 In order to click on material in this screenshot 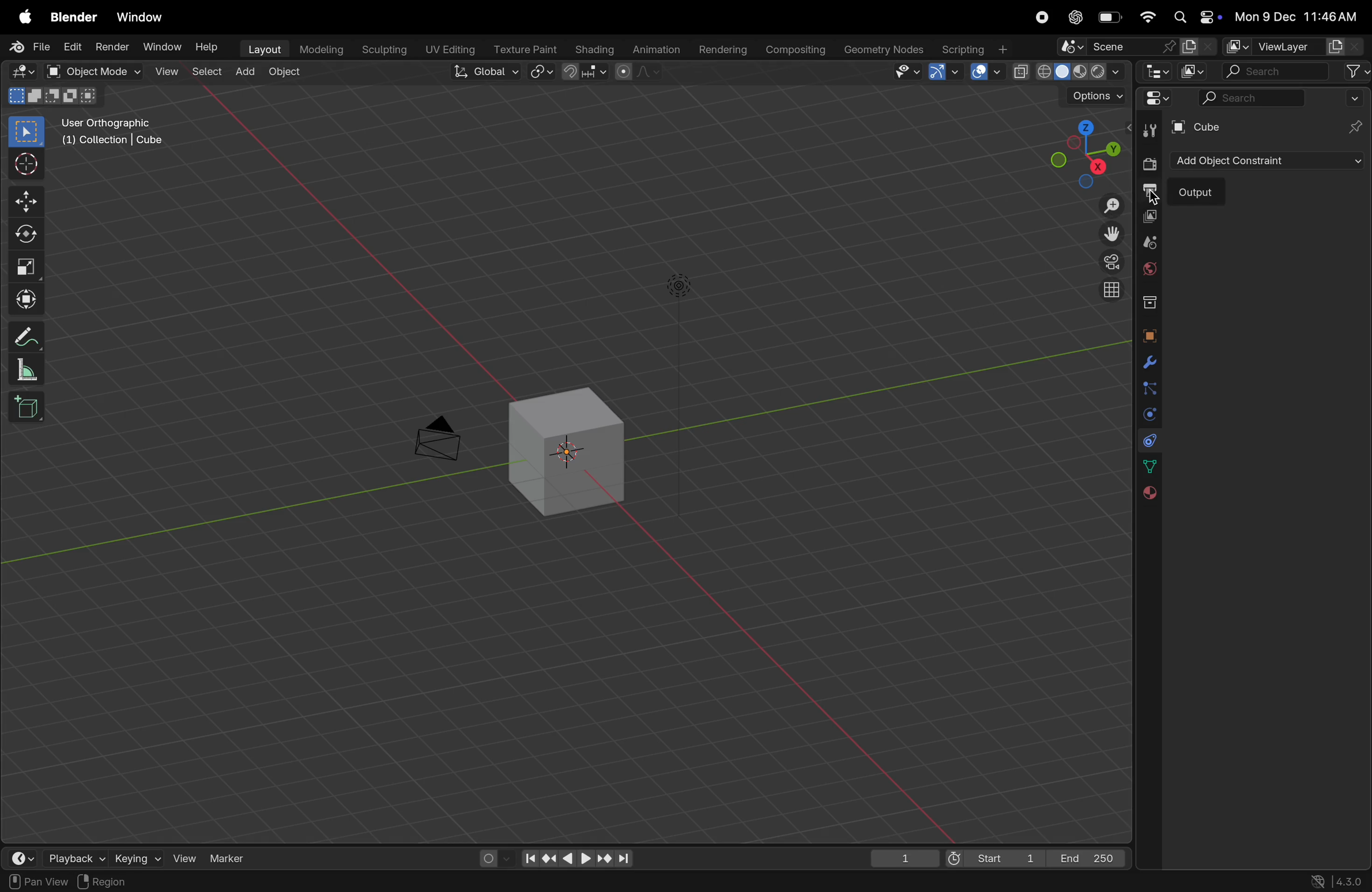, I will do `click(1146, 493)`.